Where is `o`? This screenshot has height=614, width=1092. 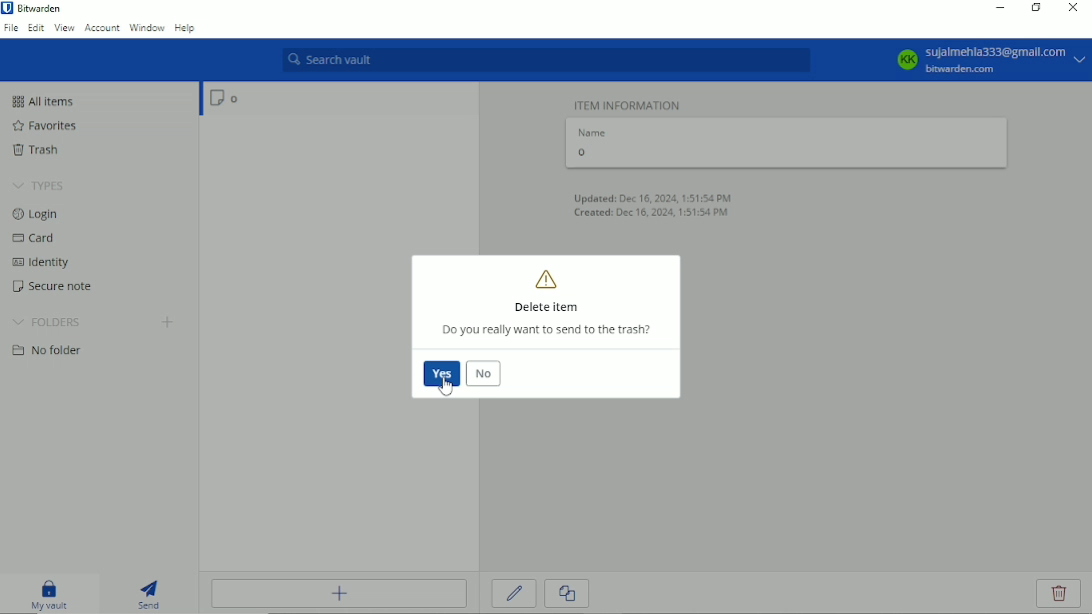 o is located at coordinates (783, 154).